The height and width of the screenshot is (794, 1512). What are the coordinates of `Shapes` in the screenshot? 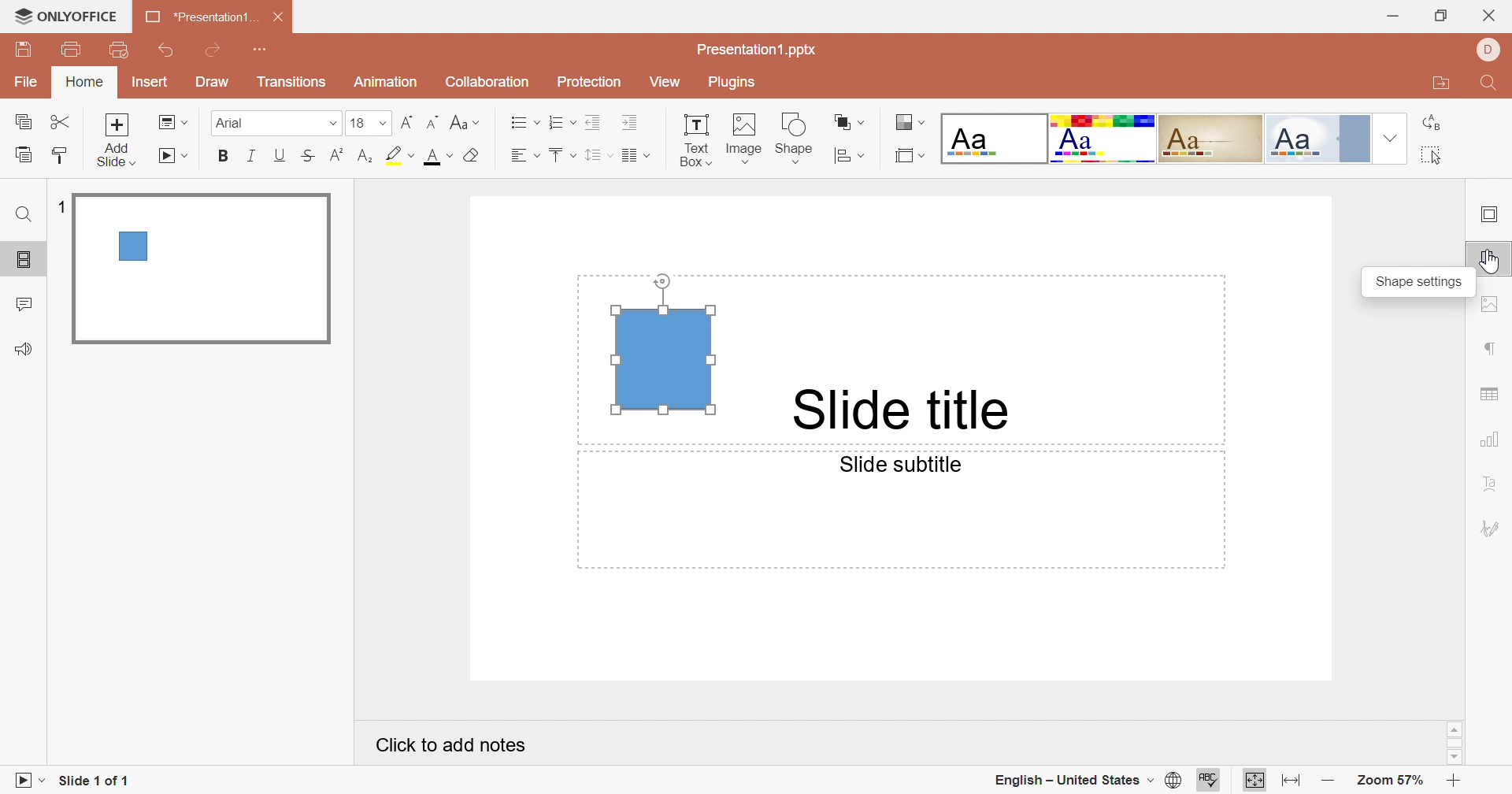 It's located at (798, 137).